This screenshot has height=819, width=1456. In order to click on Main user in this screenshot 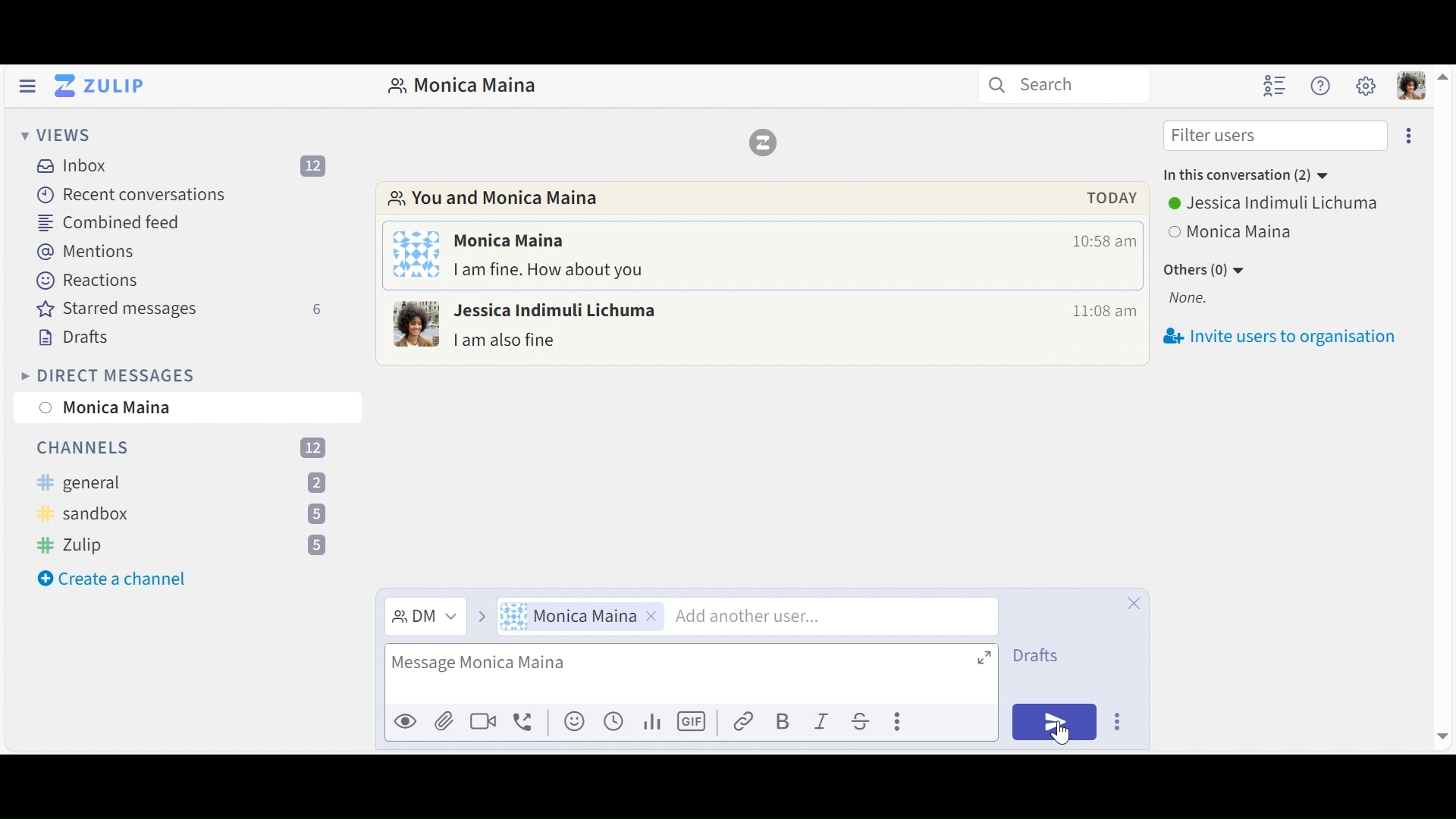, I will do `click(1366, 86)`.